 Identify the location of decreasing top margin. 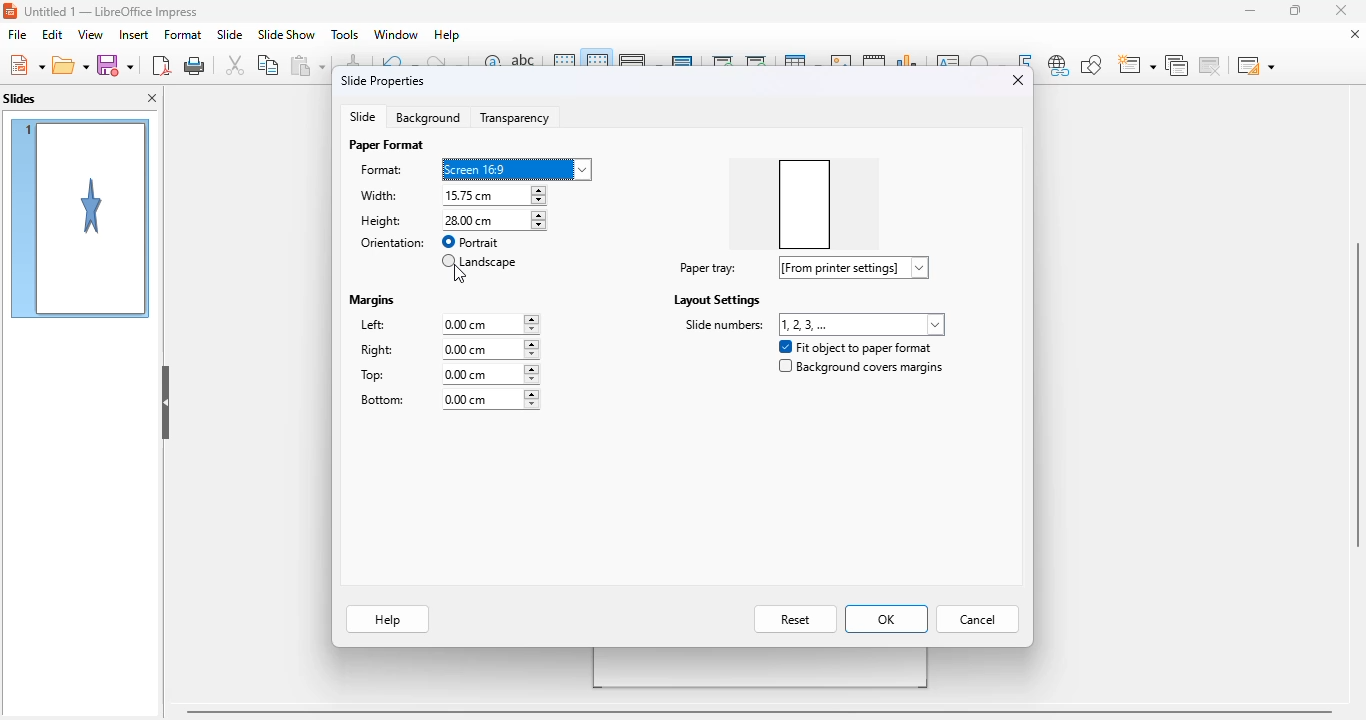
(531, 381).